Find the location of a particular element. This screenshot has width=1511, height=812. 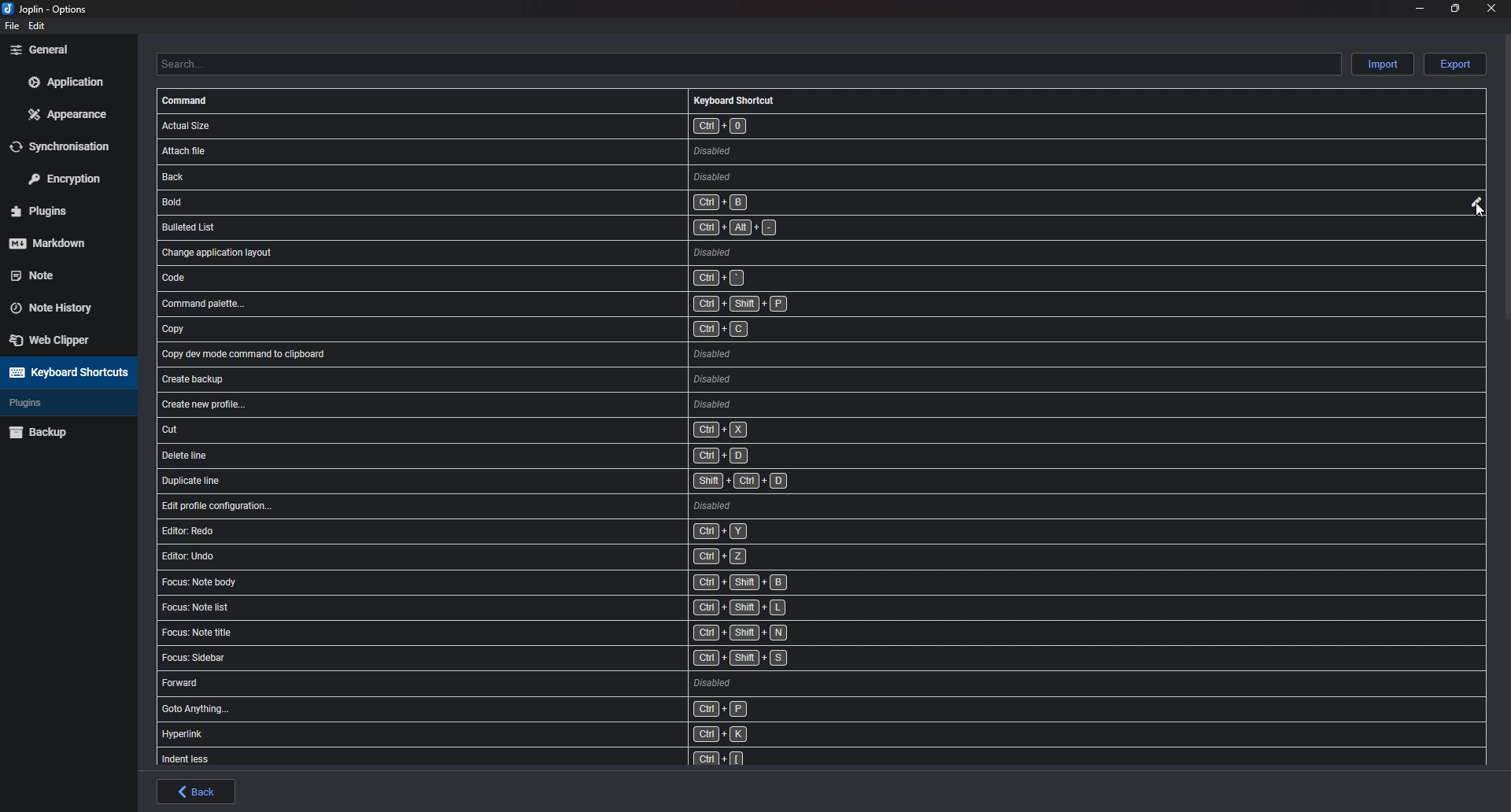

shortcut is located at coordinates (531, 304).